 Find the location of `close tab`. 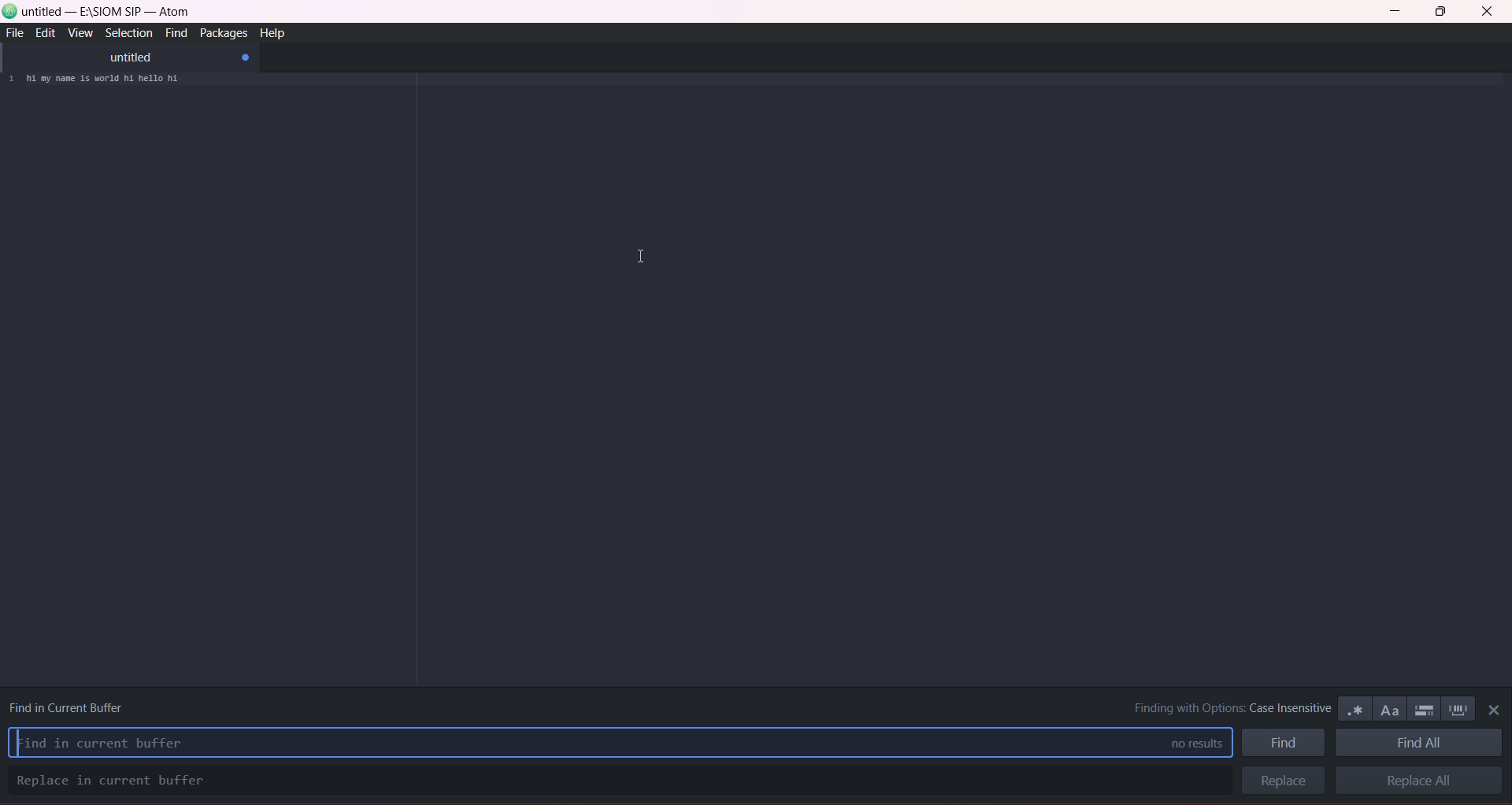

close tab is located at coordinates (246, 58).